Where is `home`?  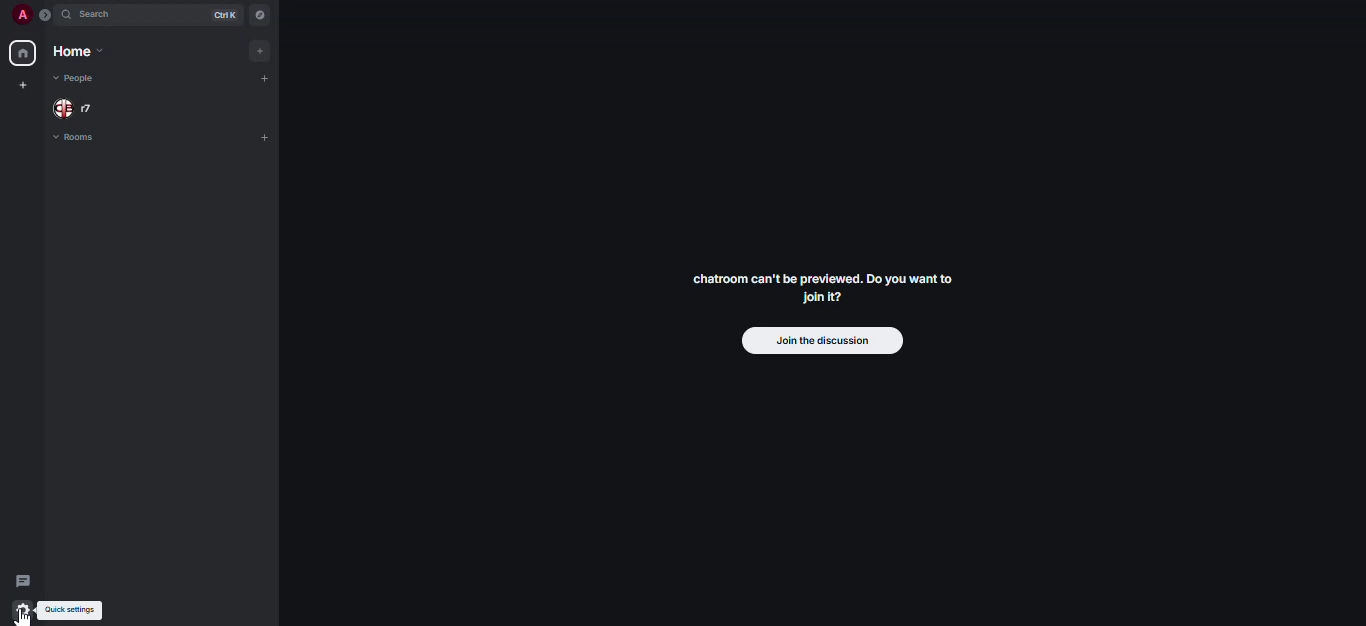 home is located at coordinates (25, 53).